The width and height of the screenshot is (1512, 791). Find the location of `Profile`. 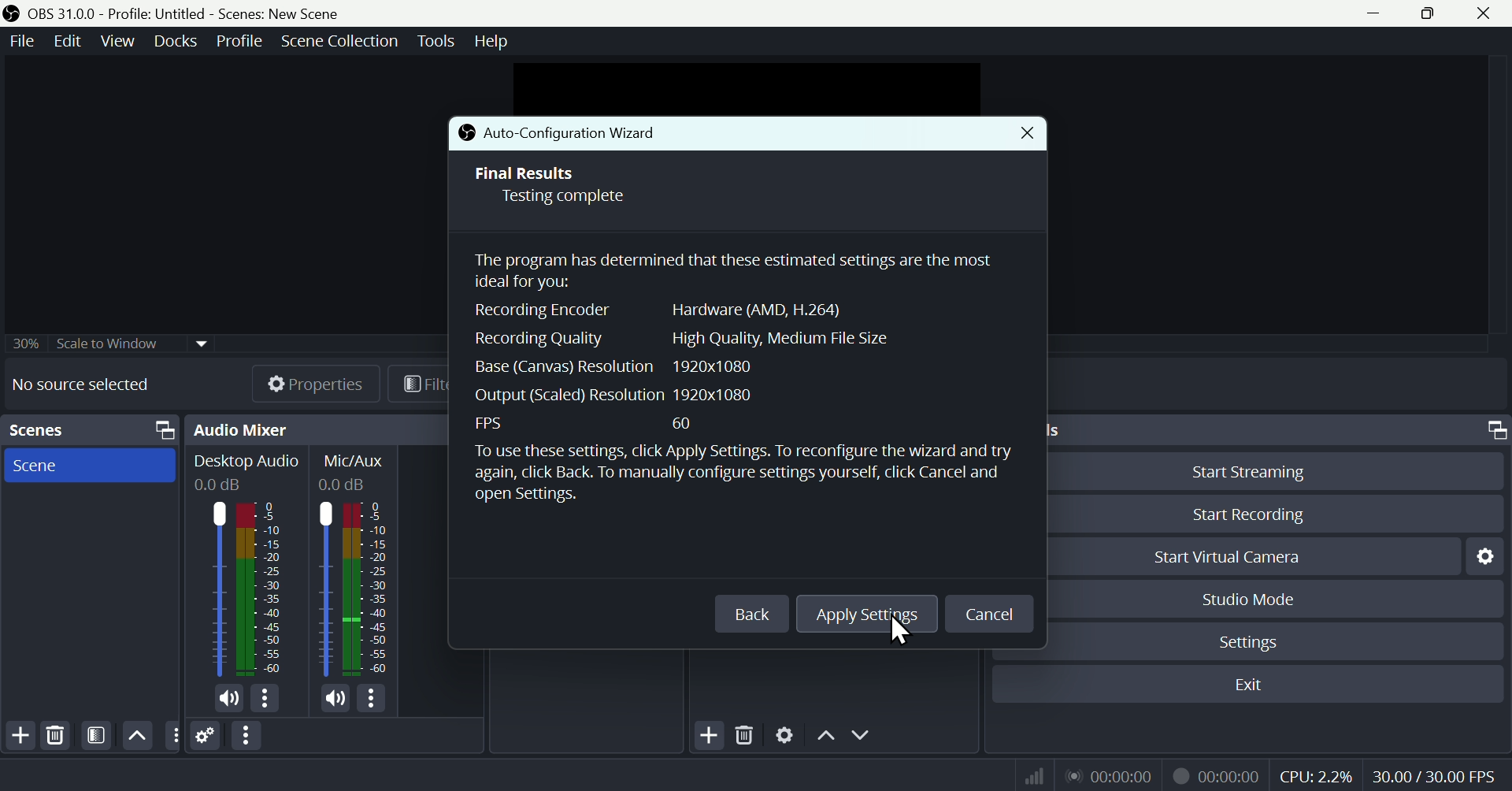

Profile is located at coordinates (235, 41).